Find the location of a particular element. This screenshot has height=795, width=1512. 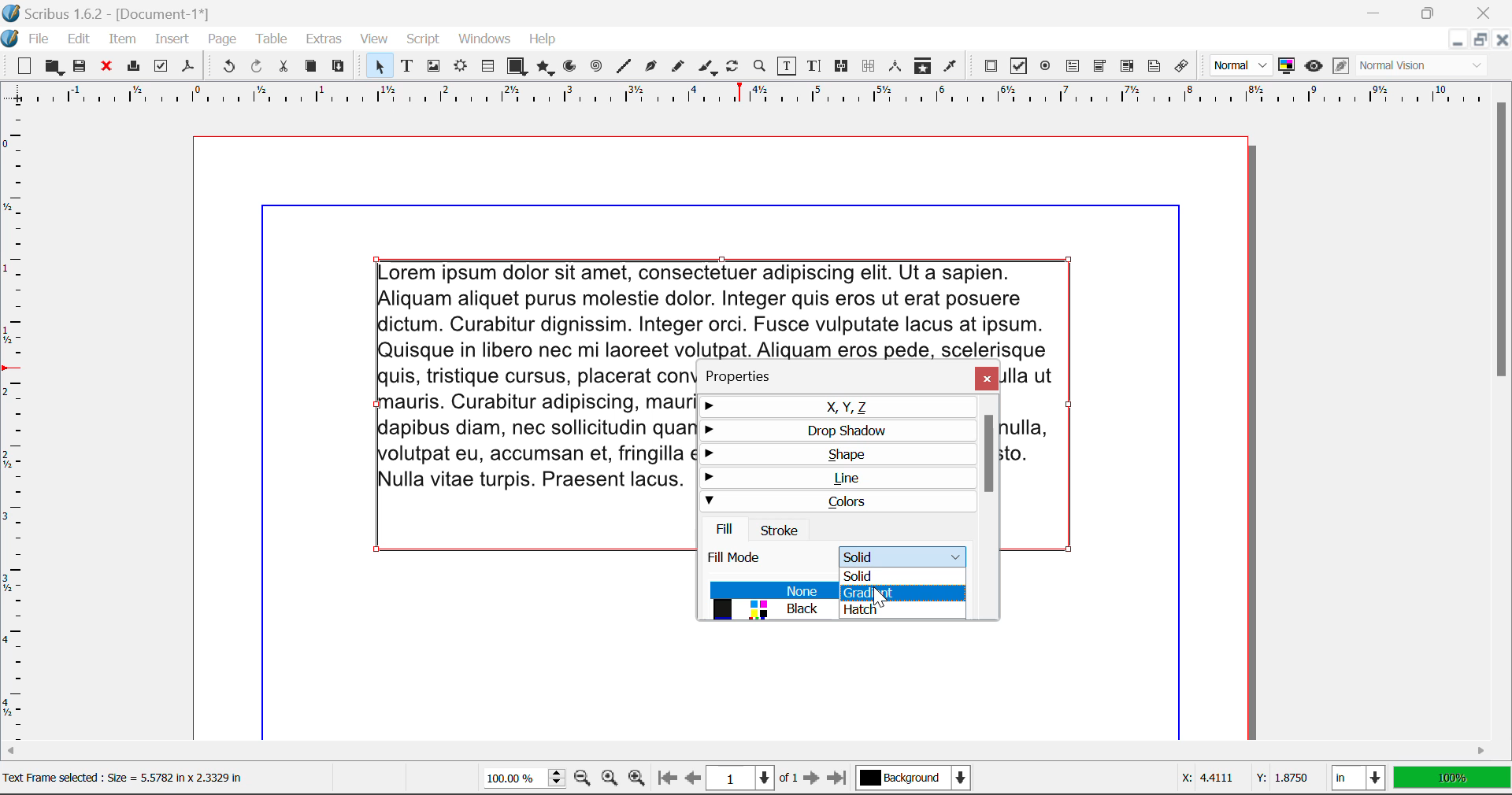

Discard is located at coordinates (106, 68).